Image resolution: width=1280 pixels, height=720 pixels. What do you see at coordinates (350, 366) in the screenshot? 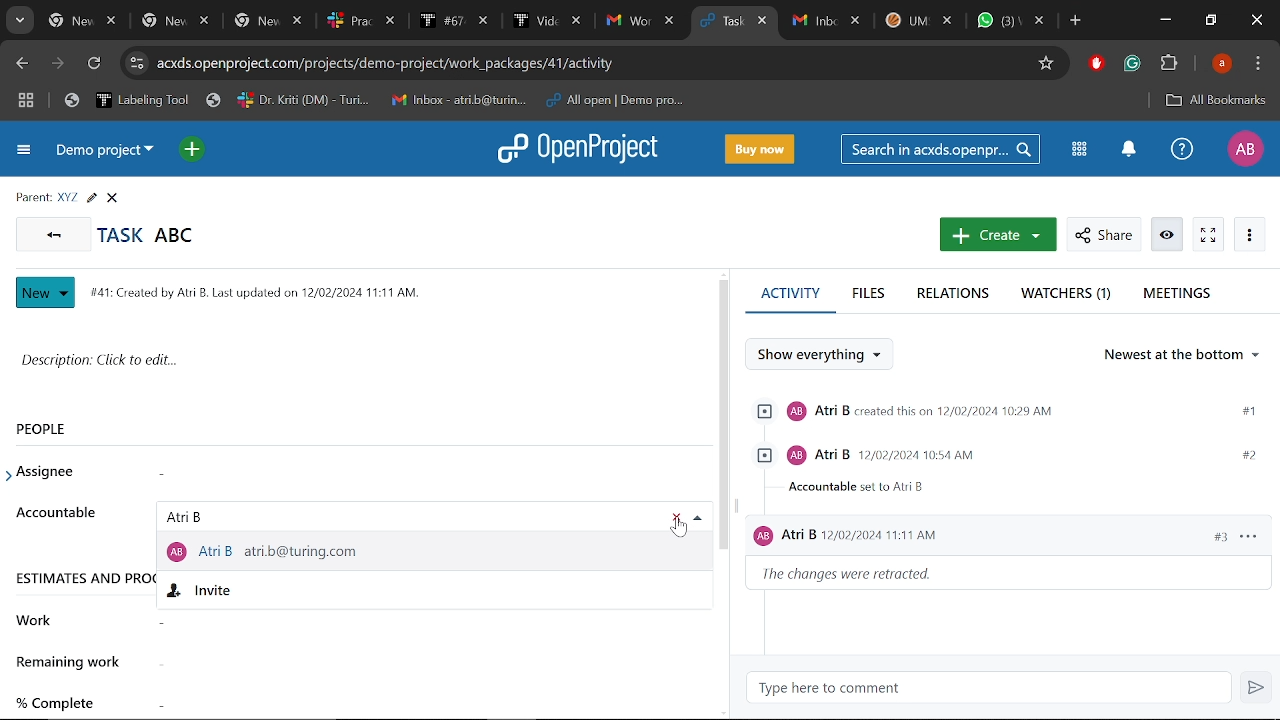
I see `Space for adding description` at bounding box center [350, 366].